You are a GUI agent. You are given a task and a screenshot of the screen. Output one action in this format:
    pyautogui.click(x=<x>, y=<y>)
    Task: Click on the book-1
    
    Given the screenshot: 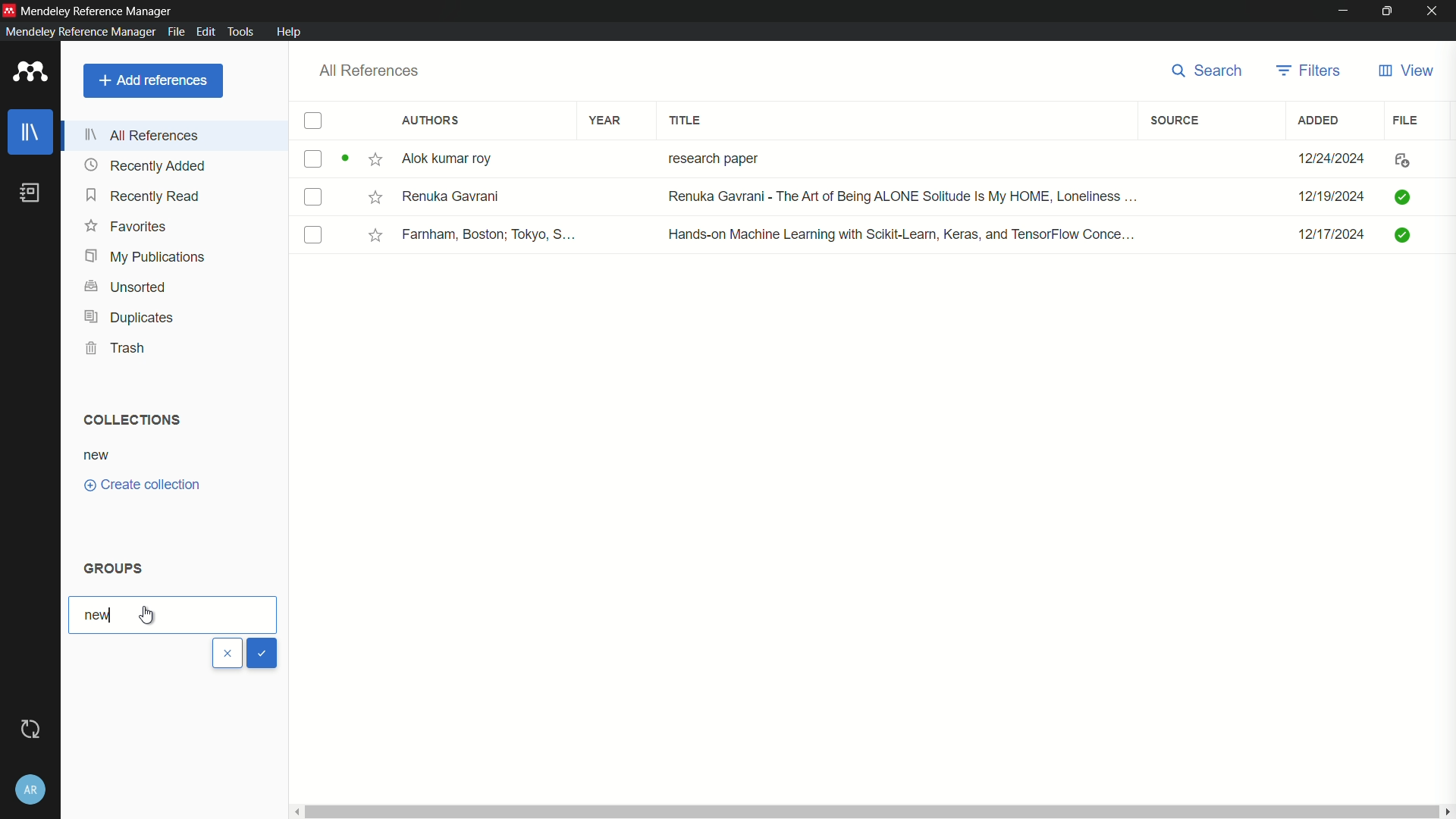 What is the action you would take?
    pyautogui.click(x=312, y=158)
    